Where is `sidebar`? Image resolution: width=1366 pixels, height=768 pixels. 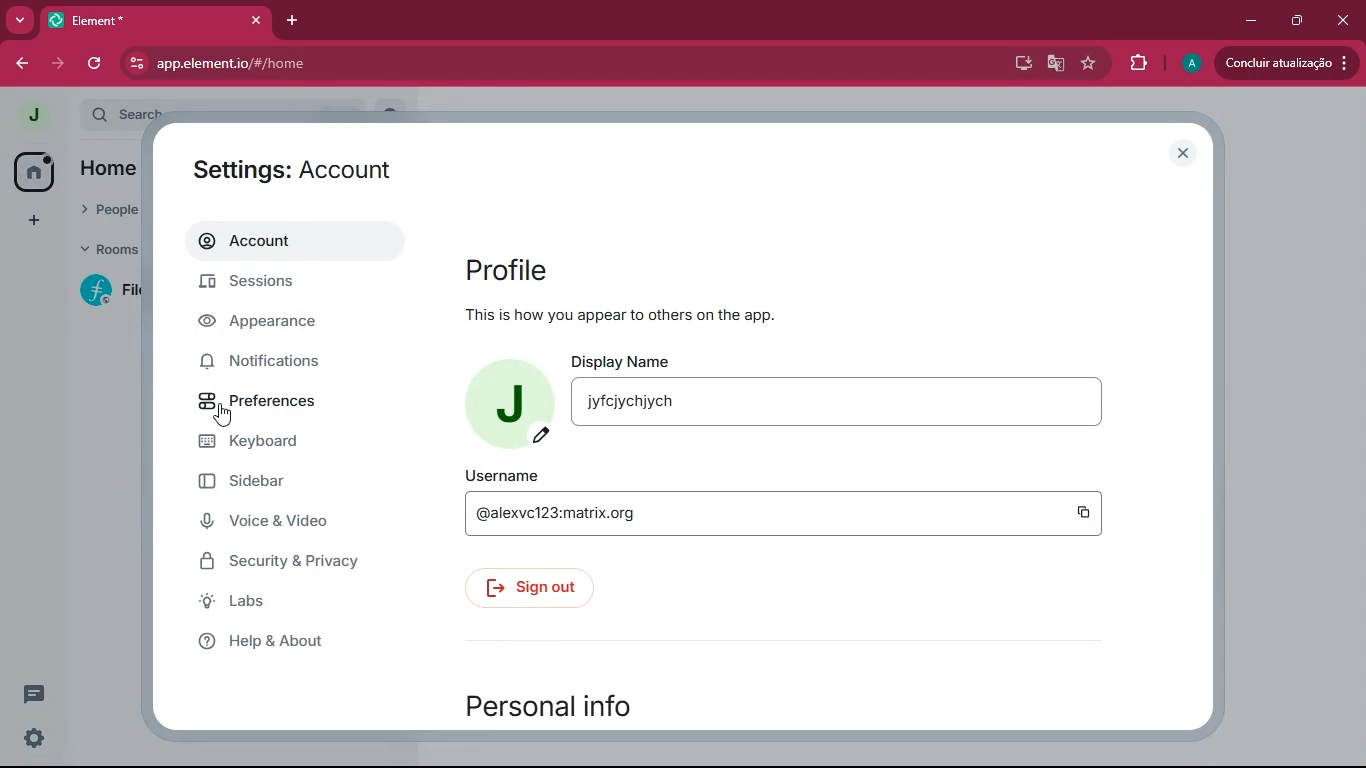 sidebar is located at coordinates (268, 482).